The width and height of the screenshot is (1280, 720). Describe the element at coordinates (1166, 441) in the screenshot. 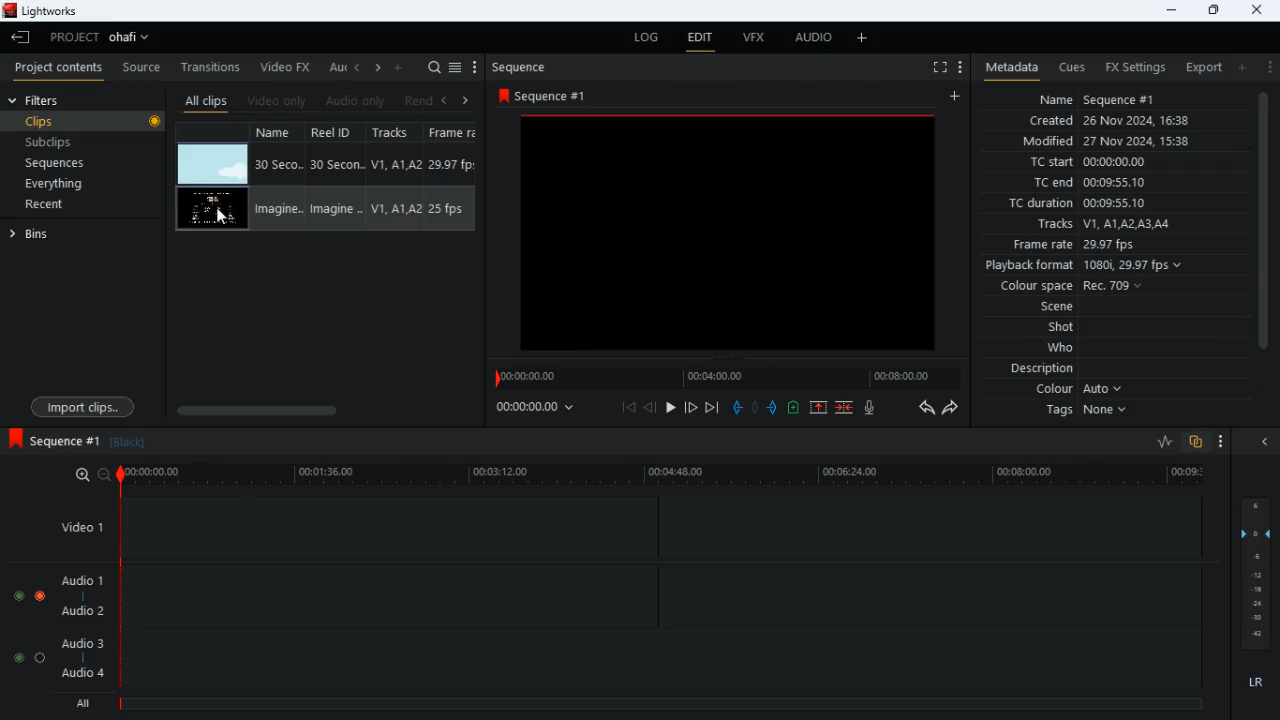

I see `ratio` at that location.